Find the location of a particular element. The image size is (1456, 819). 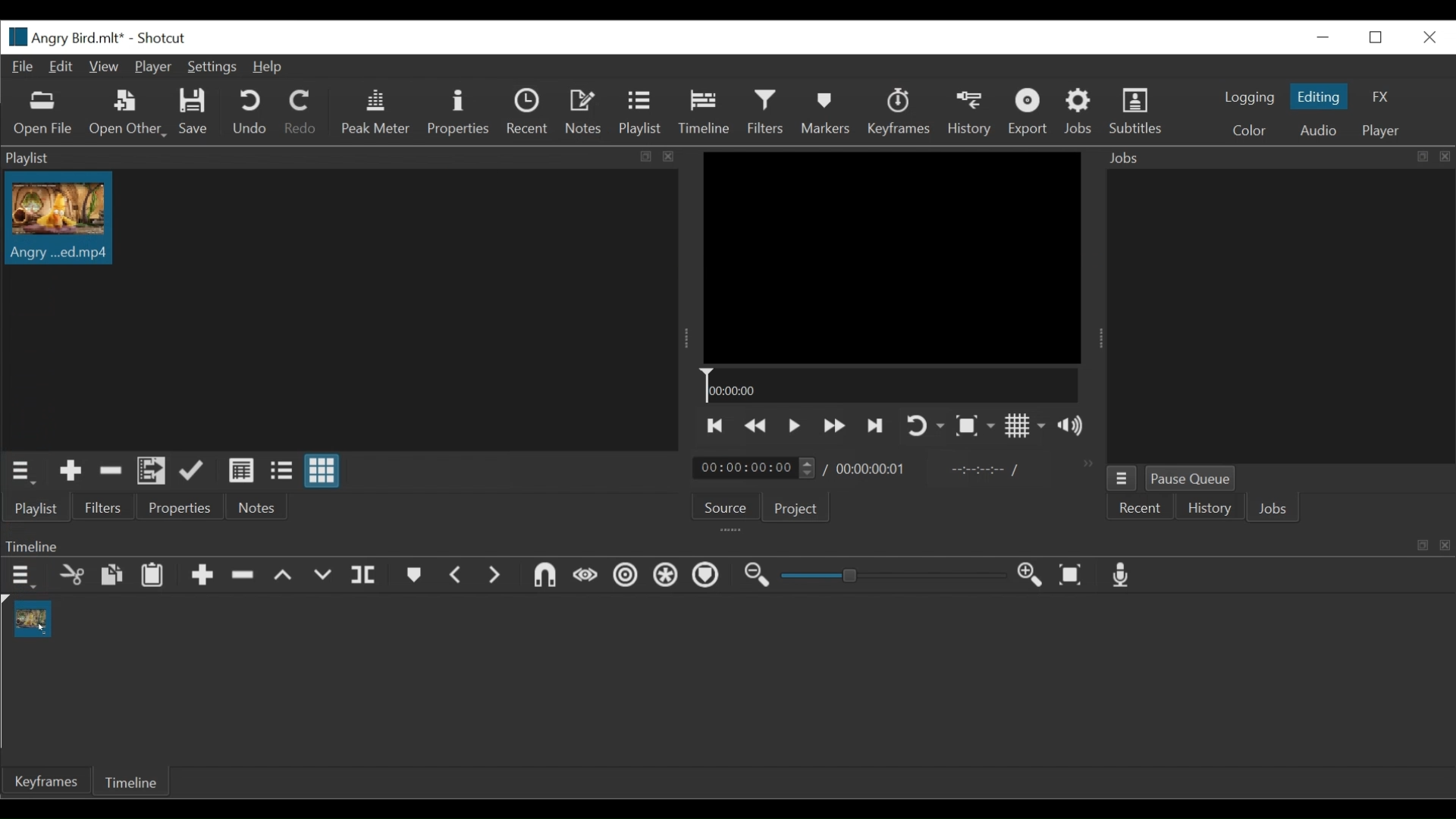

Jobs is located at coordinates (1078, 110).